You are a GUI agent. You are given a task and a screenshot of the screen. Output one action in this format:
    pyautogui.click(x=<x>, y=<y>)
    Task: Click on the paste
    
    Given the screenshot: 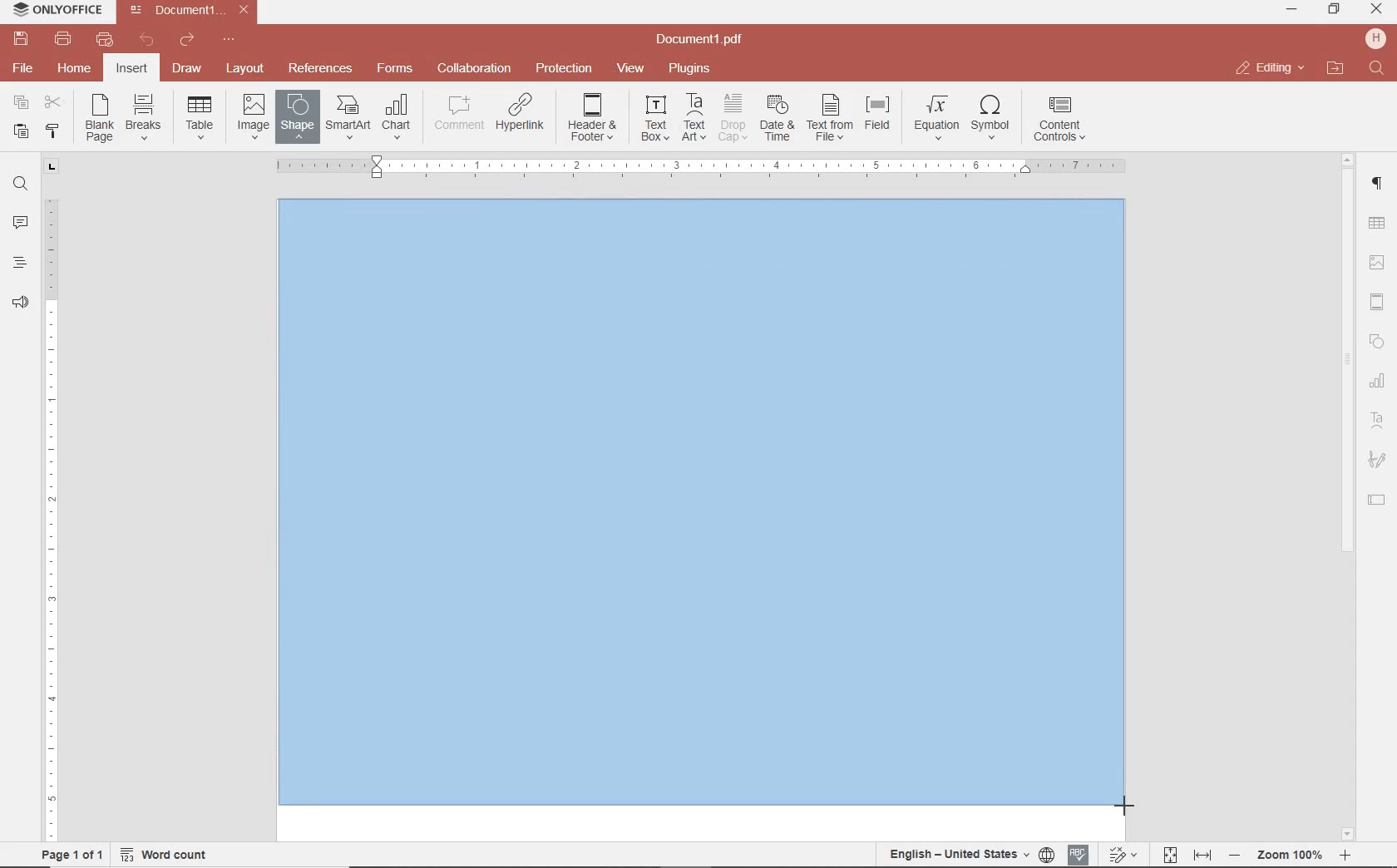 What is the action you would take?
    pyautogui.click(x=19, y=131)
    